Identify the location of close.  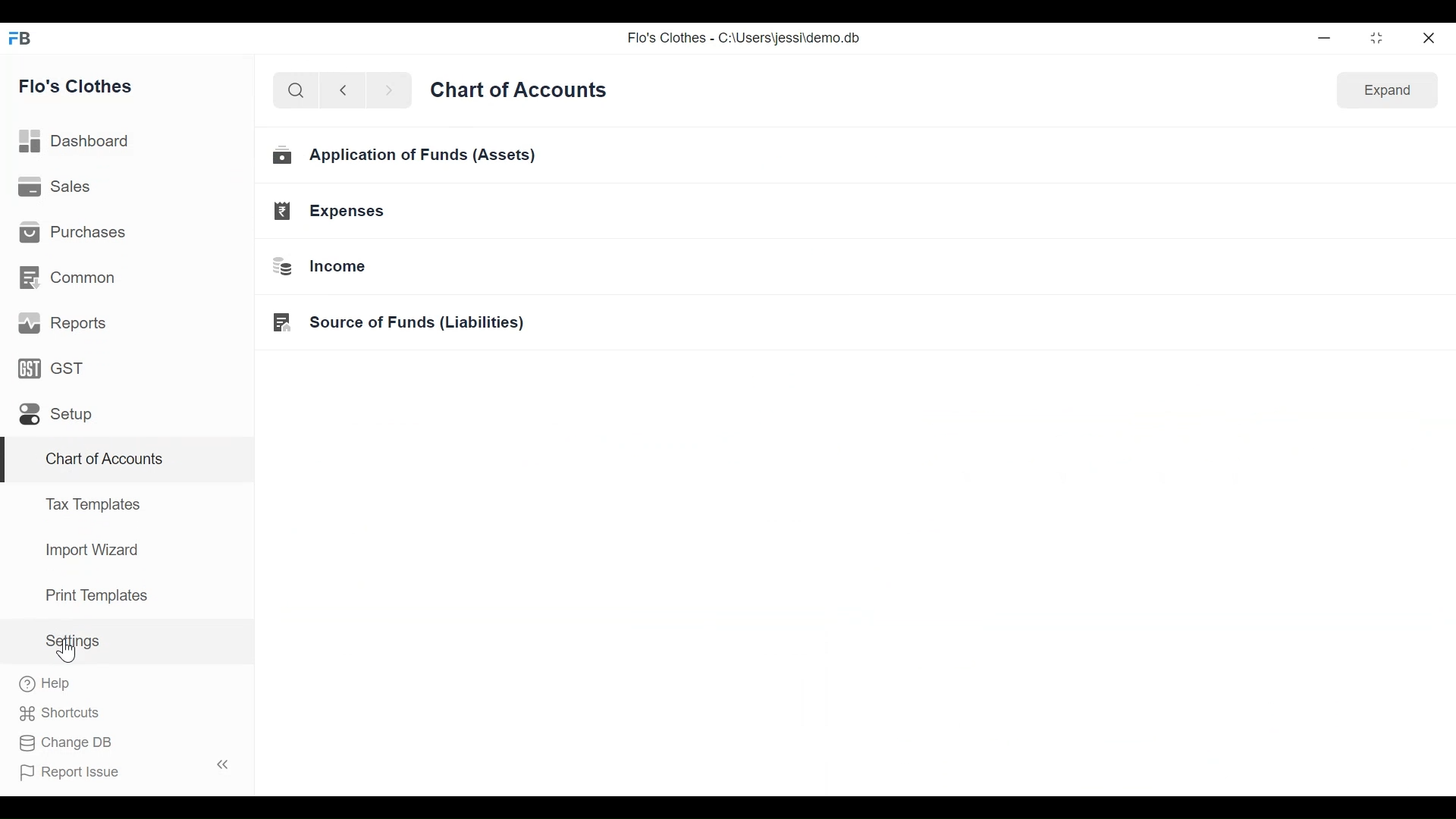
(1428, 37).